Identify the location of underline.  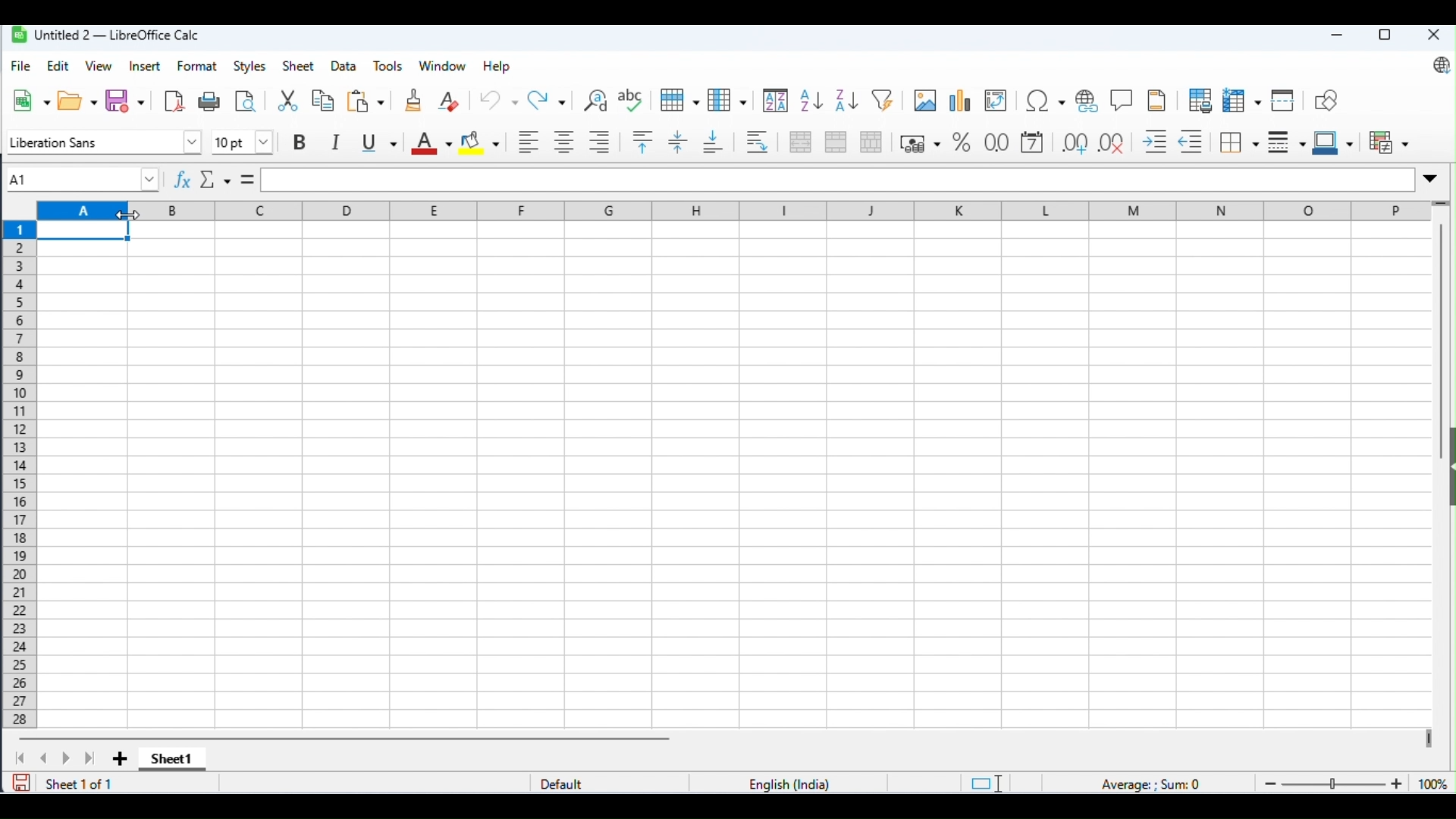
(378, 140).